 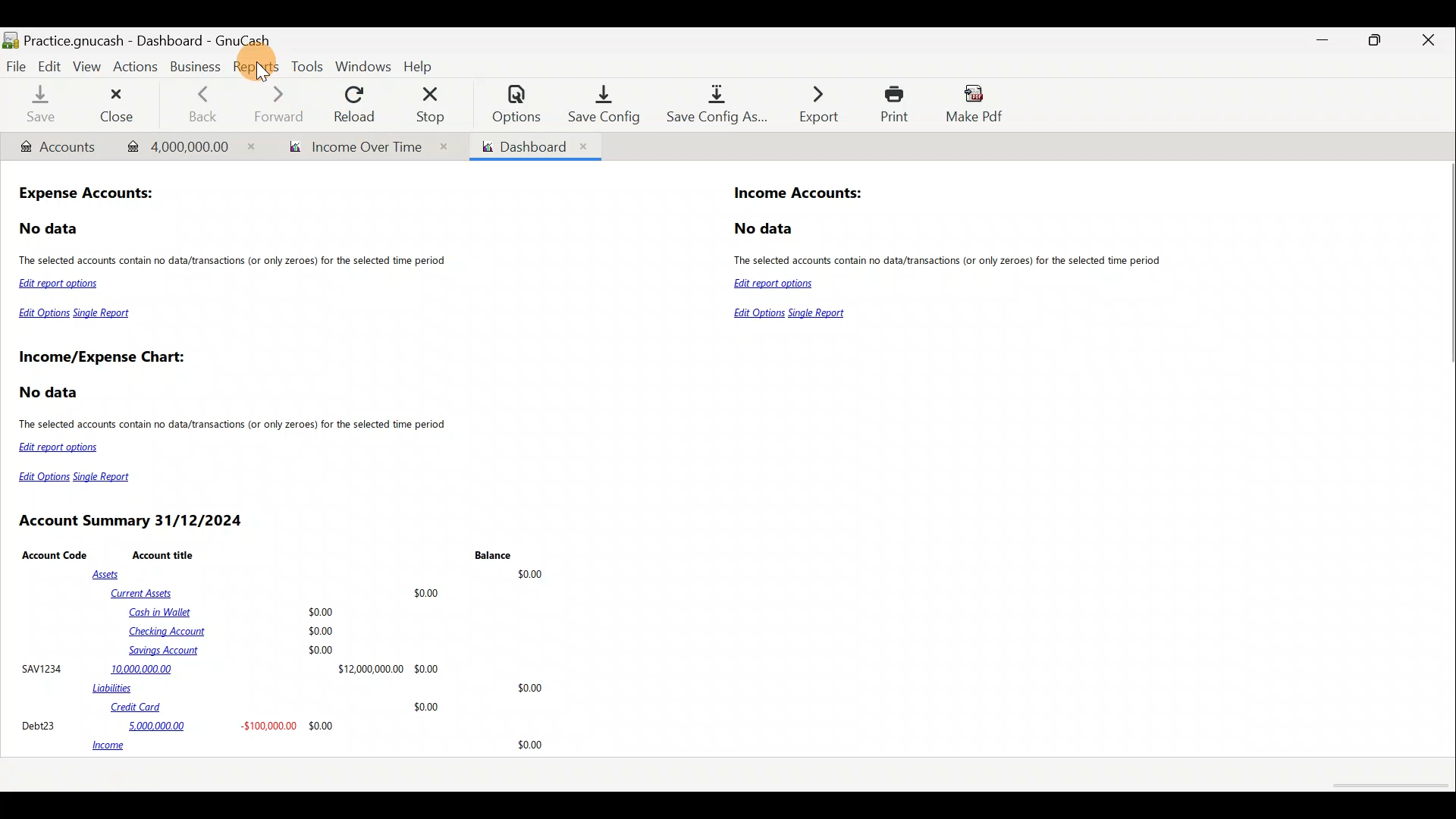 I want to click on Reports, so click(x=254, y=65).